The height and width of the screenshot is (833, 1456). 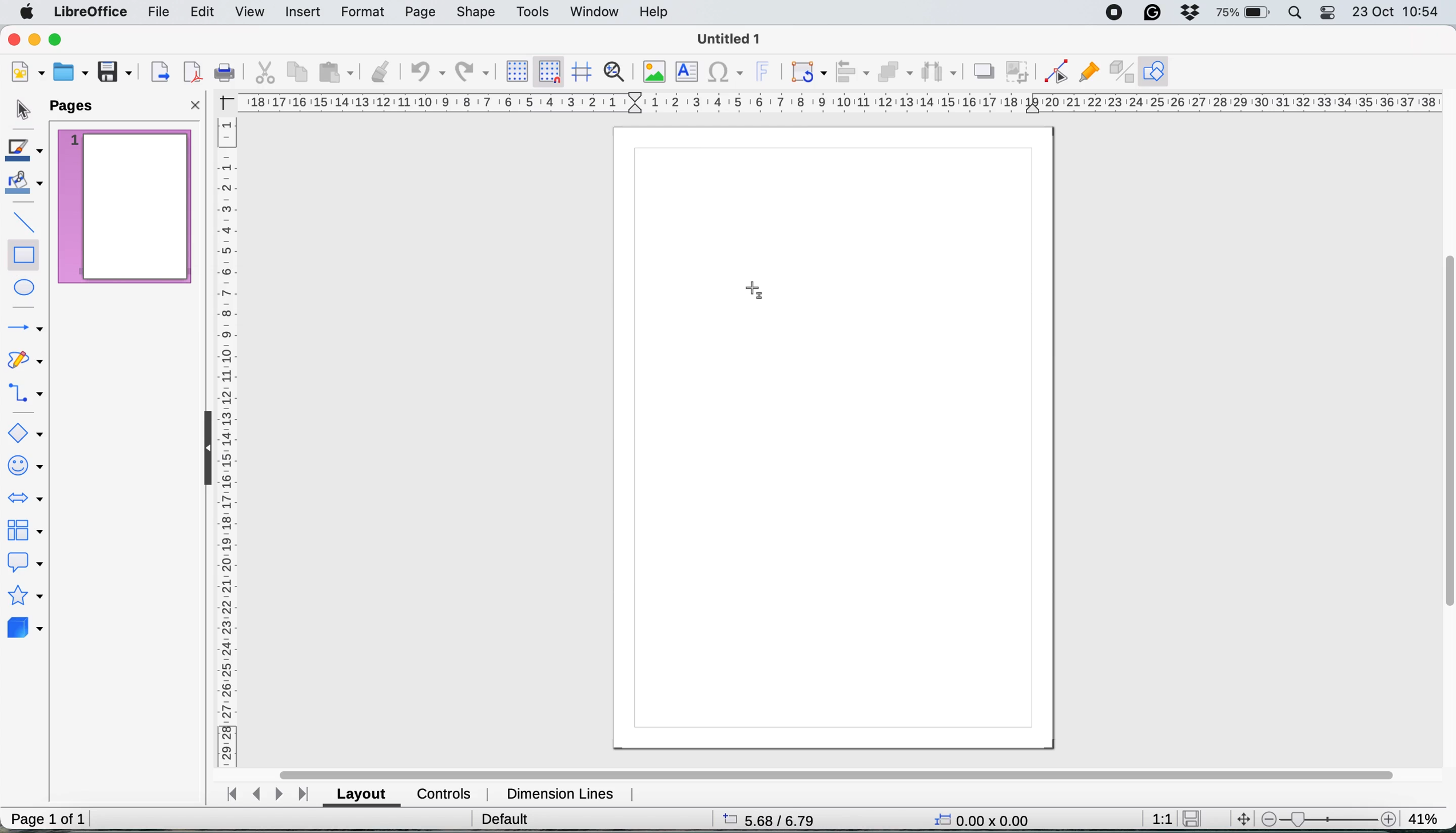 What do you see at coordinates (24, 15) in the screenshot?
I see `system logo` at bounding box center [24, 15].